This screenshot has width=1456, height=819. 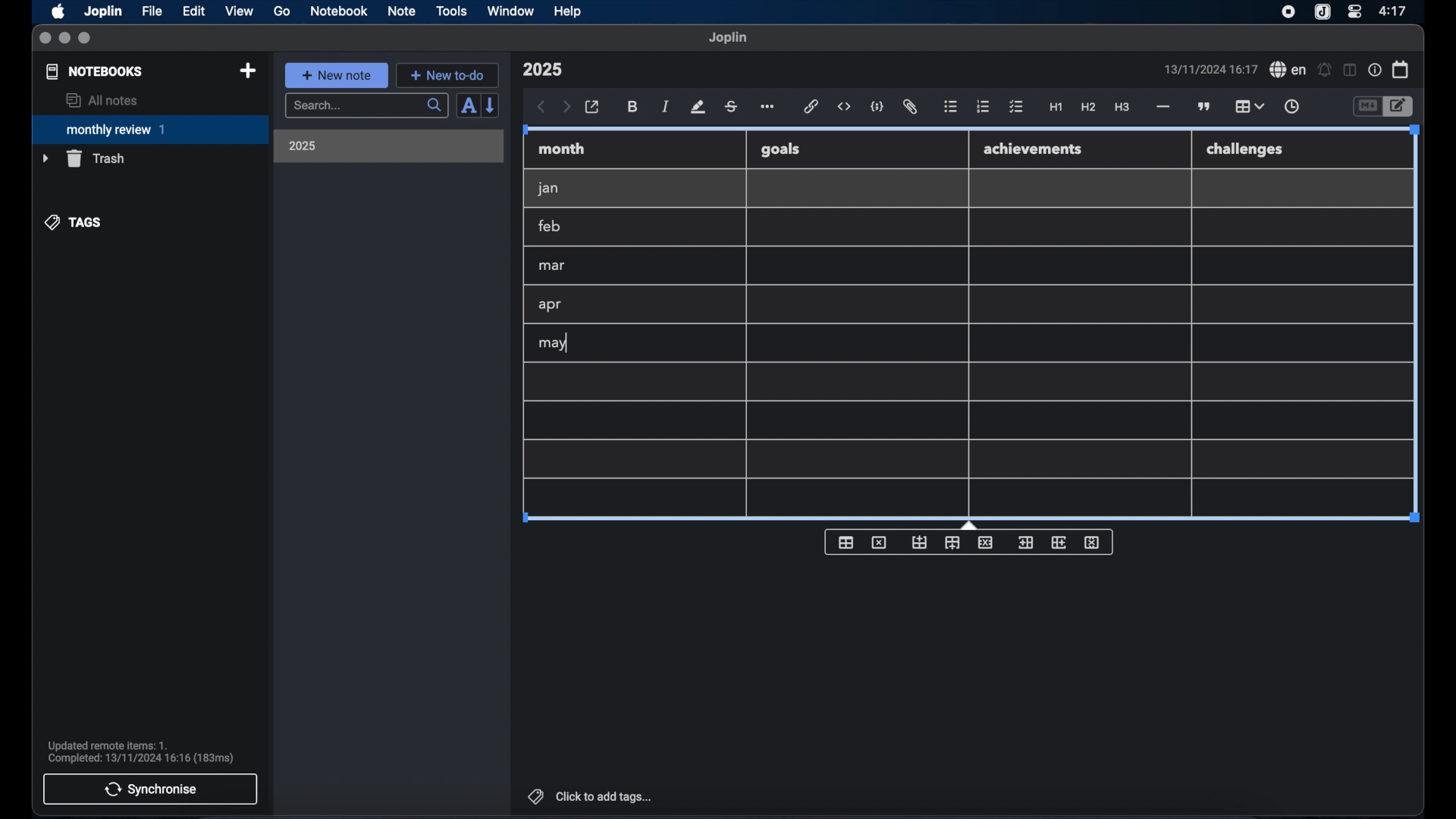 I want to click on insert time, so click(x=1291, y=107).